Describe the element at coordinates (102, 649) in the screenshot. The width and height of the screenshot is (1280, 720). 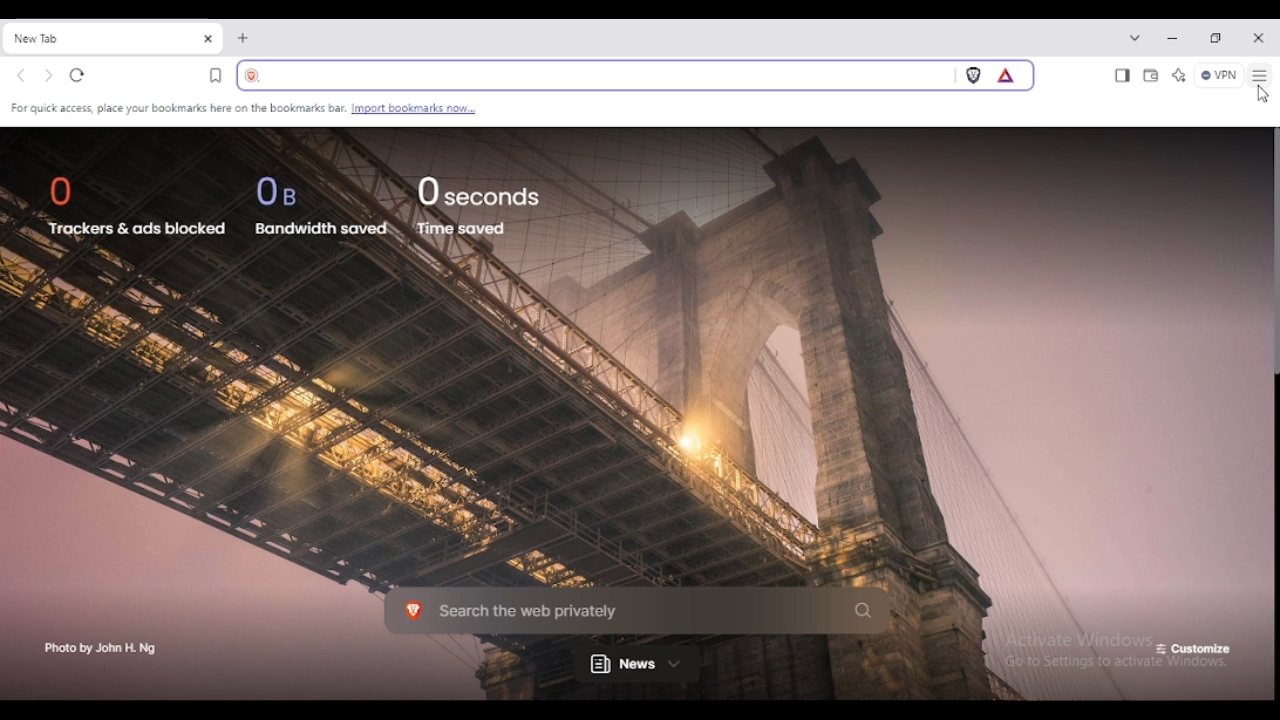
I see `photo by John H. Ng` at that location.